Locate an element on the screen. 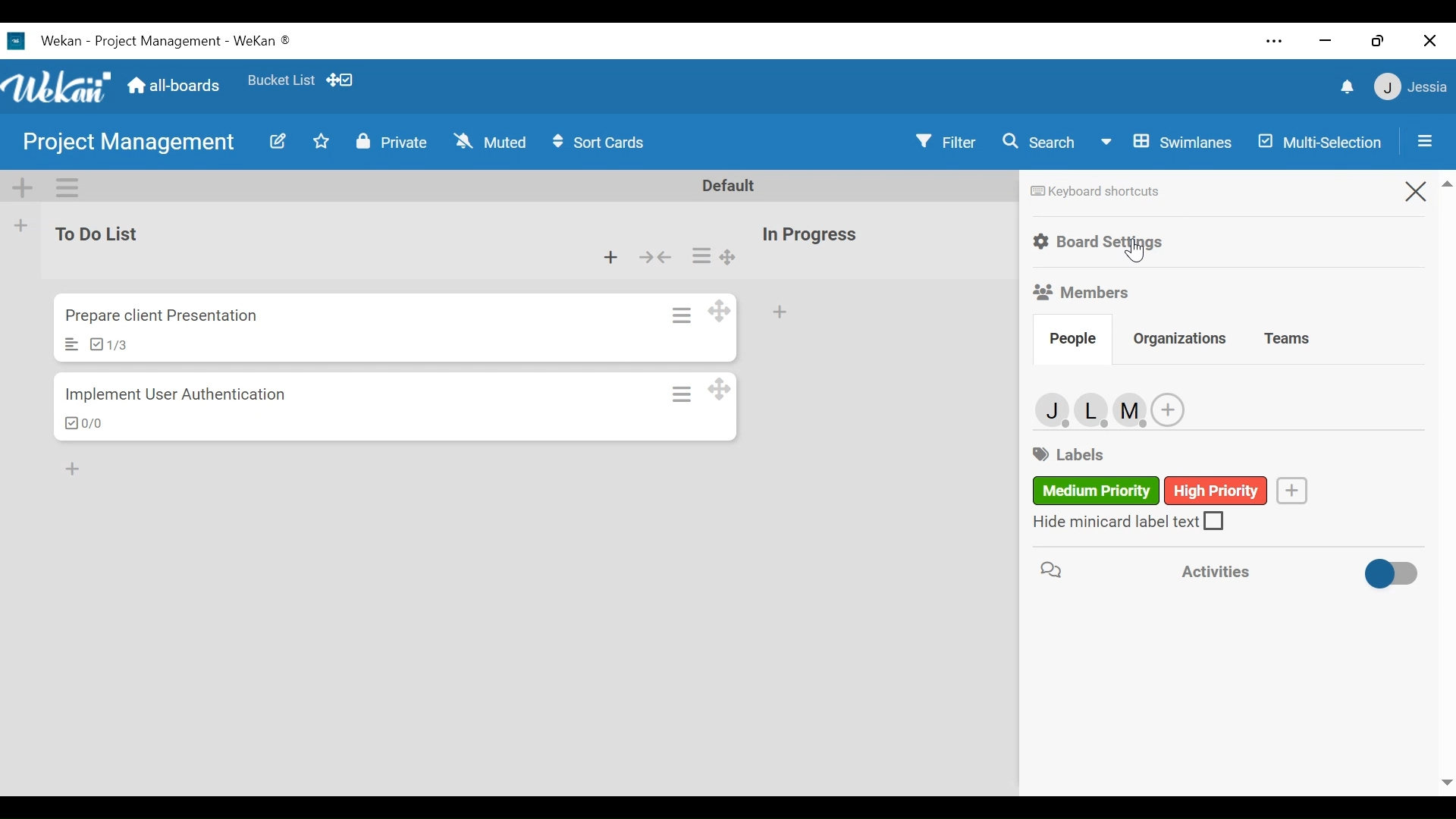 The width and height of the screenshot is (1456, 819). Members is located at coordinates (1079, 293).